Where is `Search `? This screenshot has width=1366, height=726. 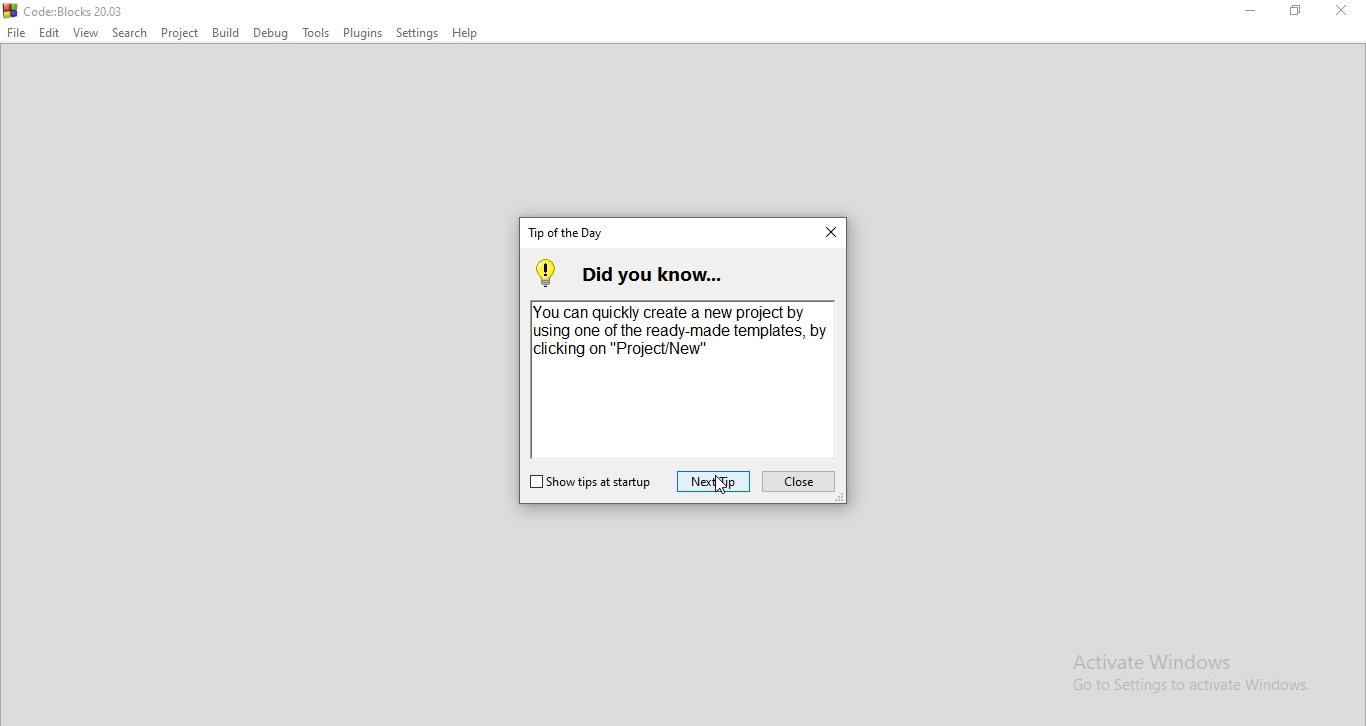
Search  is located at coordinates (129, 33).